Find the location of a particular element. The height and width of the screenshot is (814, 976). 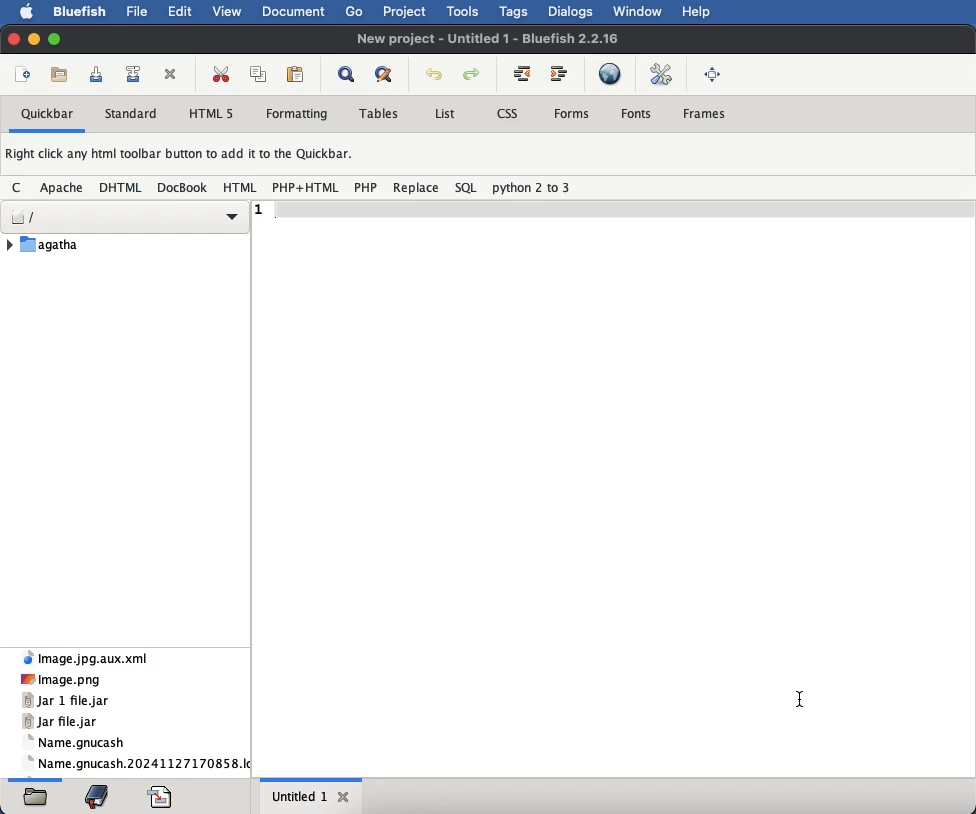

docbook is located at coordinates (183, 190).